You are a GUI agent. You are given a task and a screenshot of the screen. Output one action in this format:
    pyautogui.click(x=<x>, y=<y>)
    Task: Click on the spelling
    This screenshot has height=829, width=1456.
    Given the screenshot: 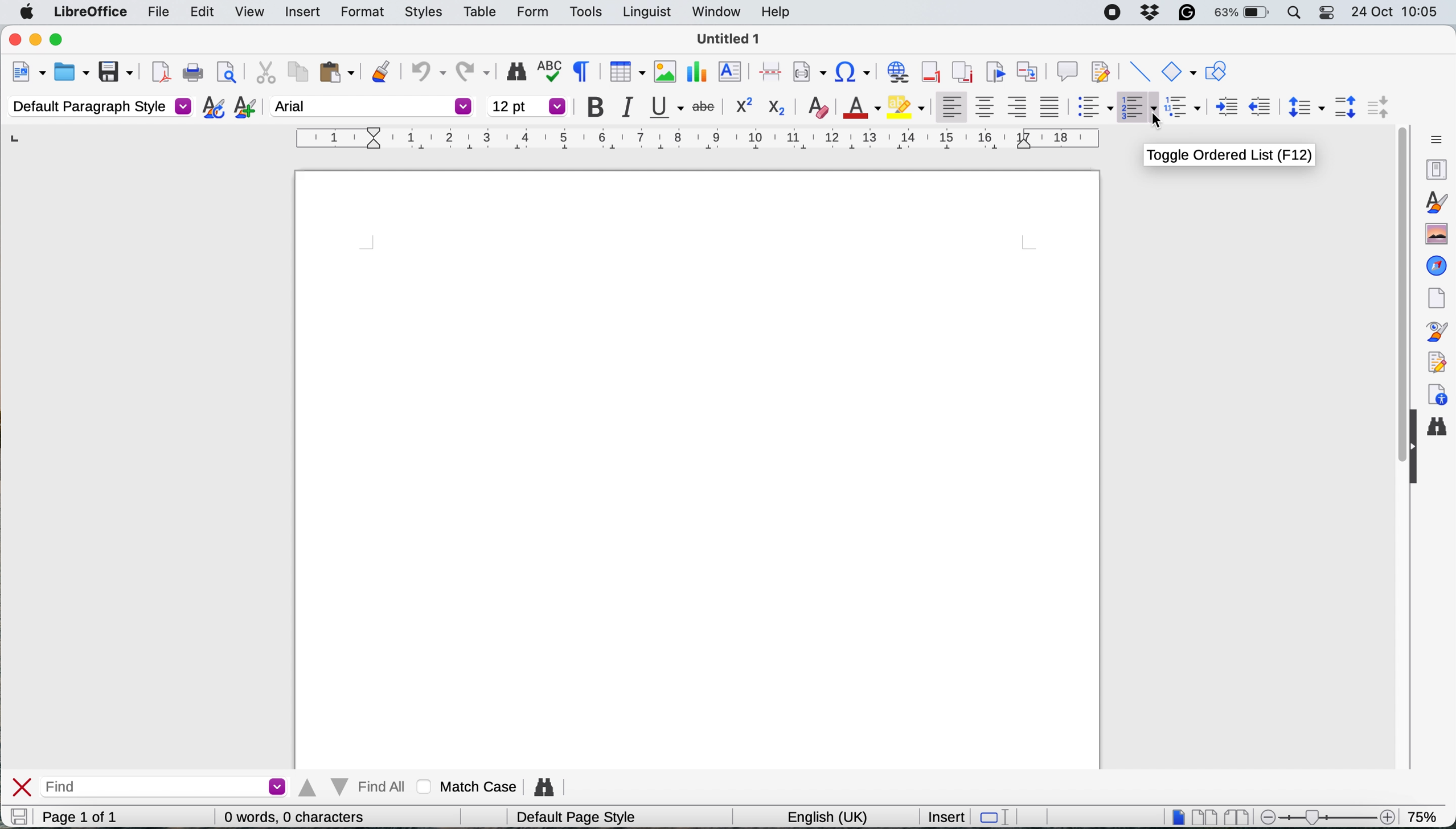 What is the action you would take?
    pyautogui.click(x=553, y=71)
    